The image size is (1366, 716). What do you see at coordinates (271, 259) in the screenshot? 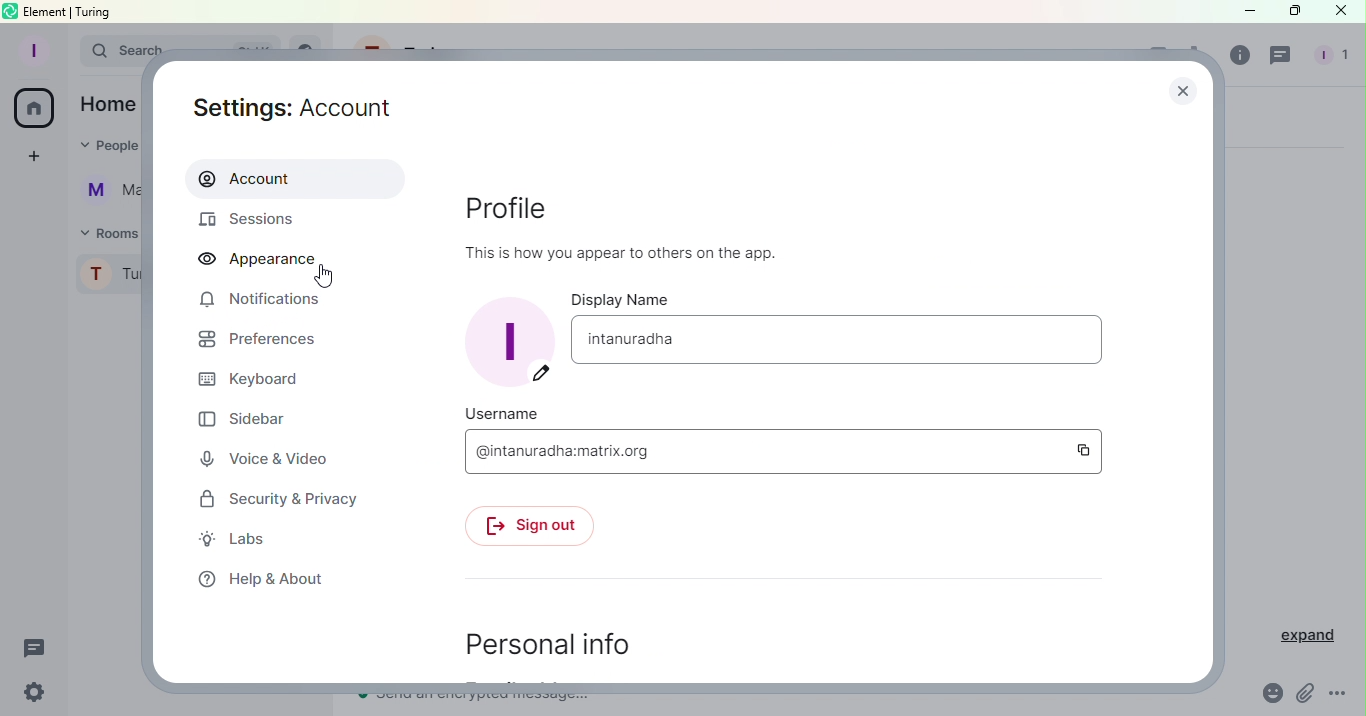
I see `Appearance` at bounding box center [271, 259].